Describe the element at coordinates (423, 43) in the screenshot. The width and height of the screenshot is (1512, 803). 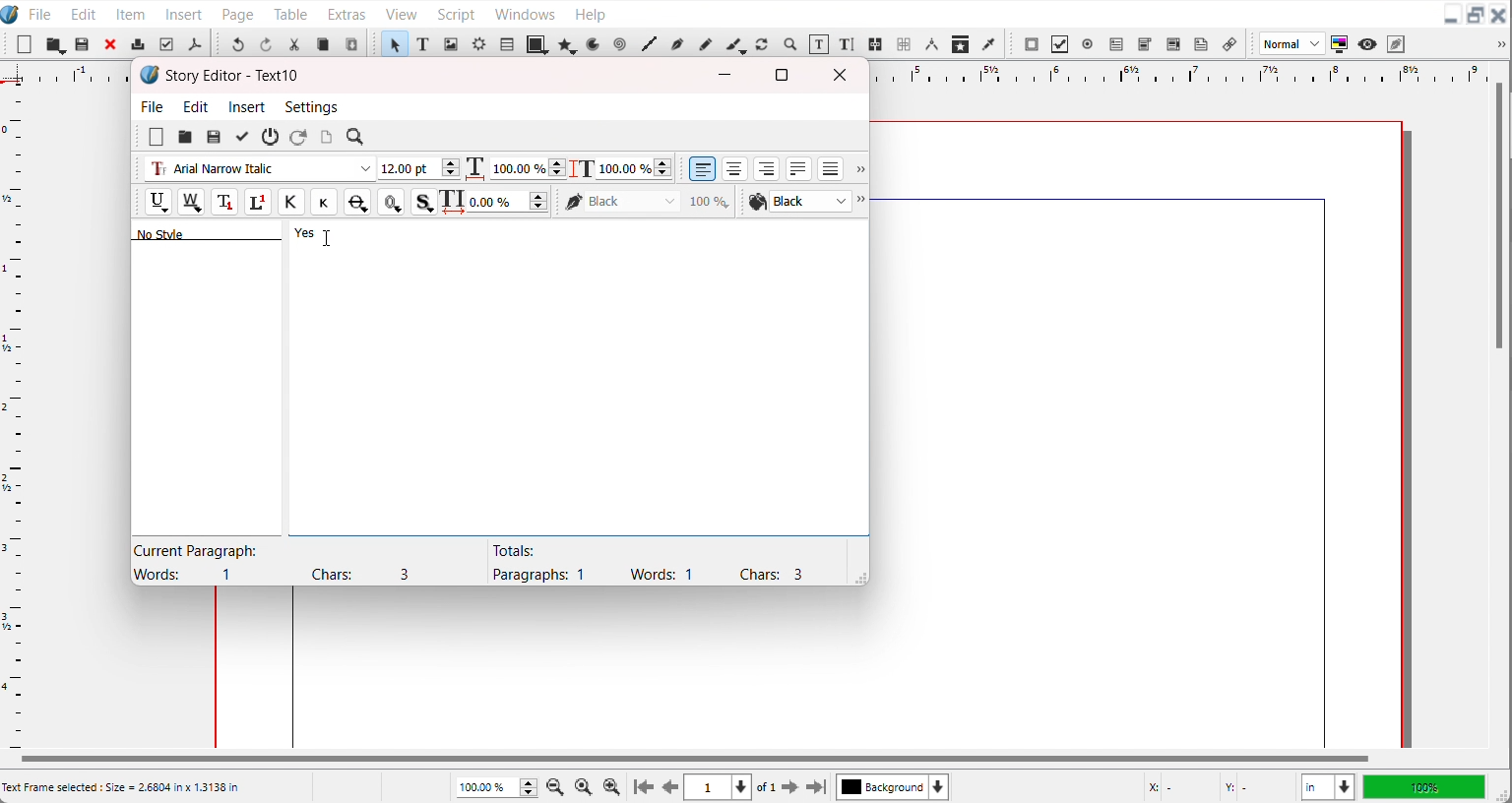
I see `Text Frame` at that location.